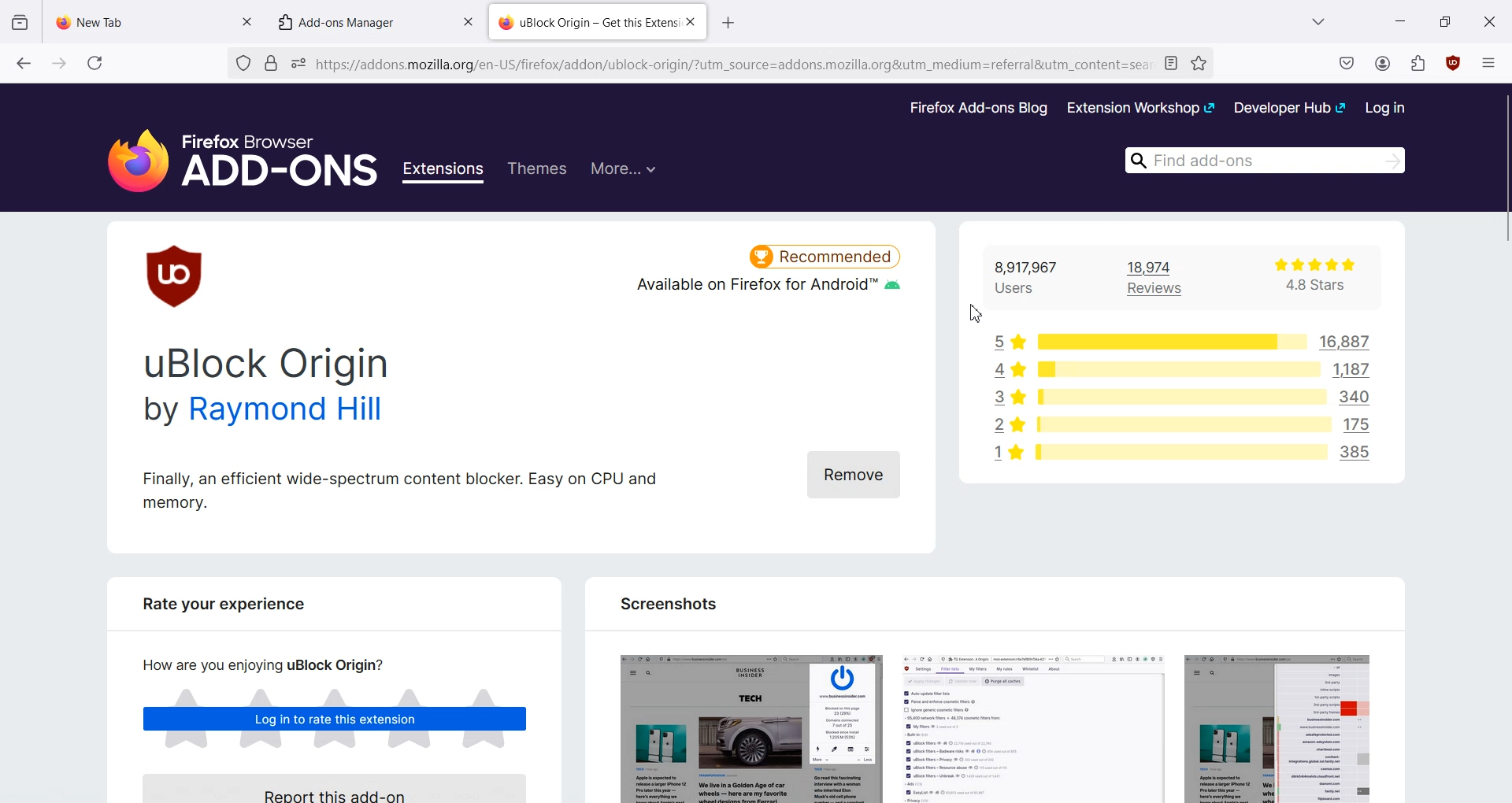 Image resolution: width=1512 pixels, height=803 pixels. Describe the element at coordinates (270, 388) in the screenshot. I see `uBlock Origin by Raymond Hill` at that location.